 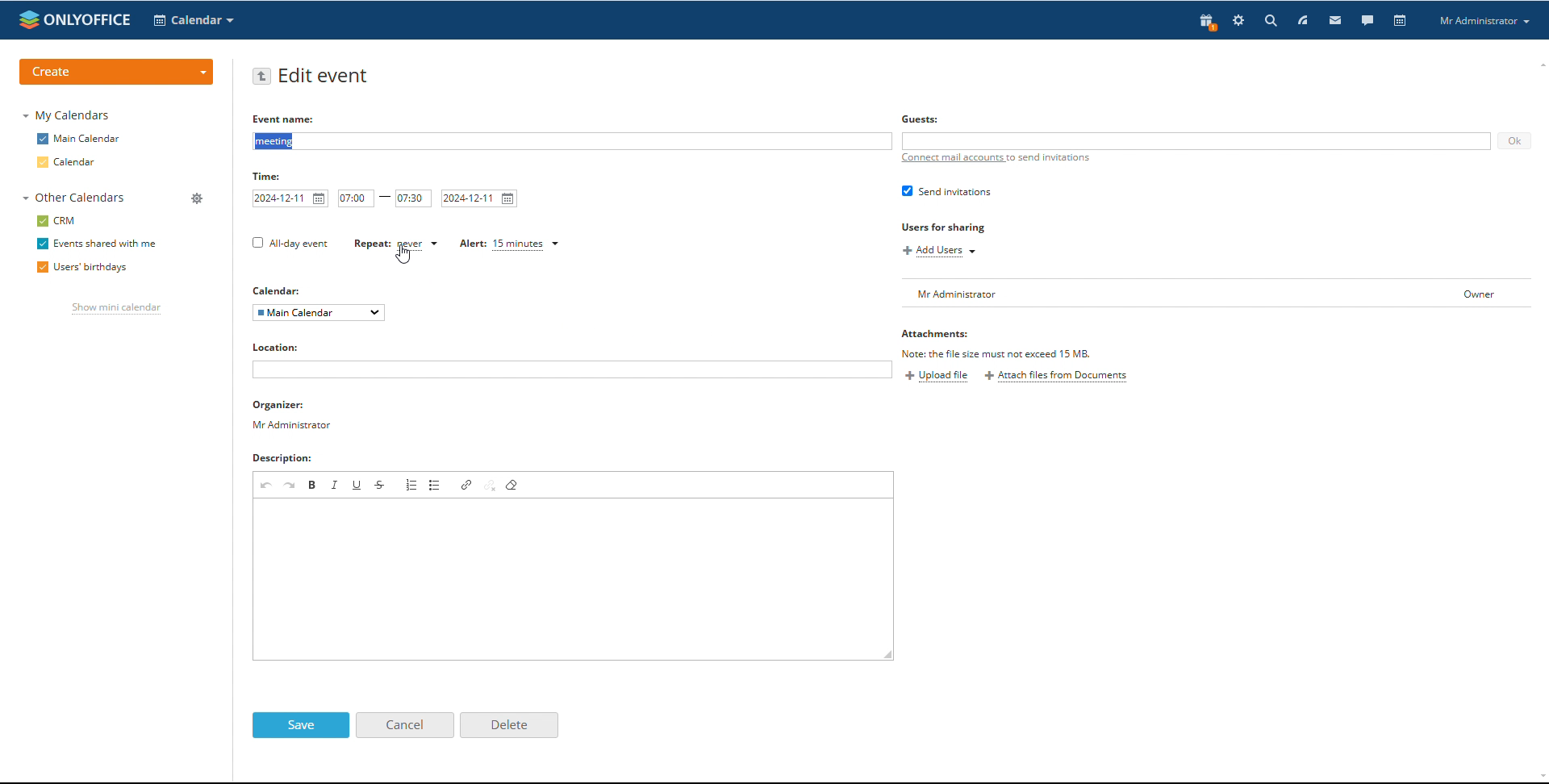 What do you see at coordinates (381, 485) in the screenshot?
I see `strikethrough` at bounding box center [381, 485].